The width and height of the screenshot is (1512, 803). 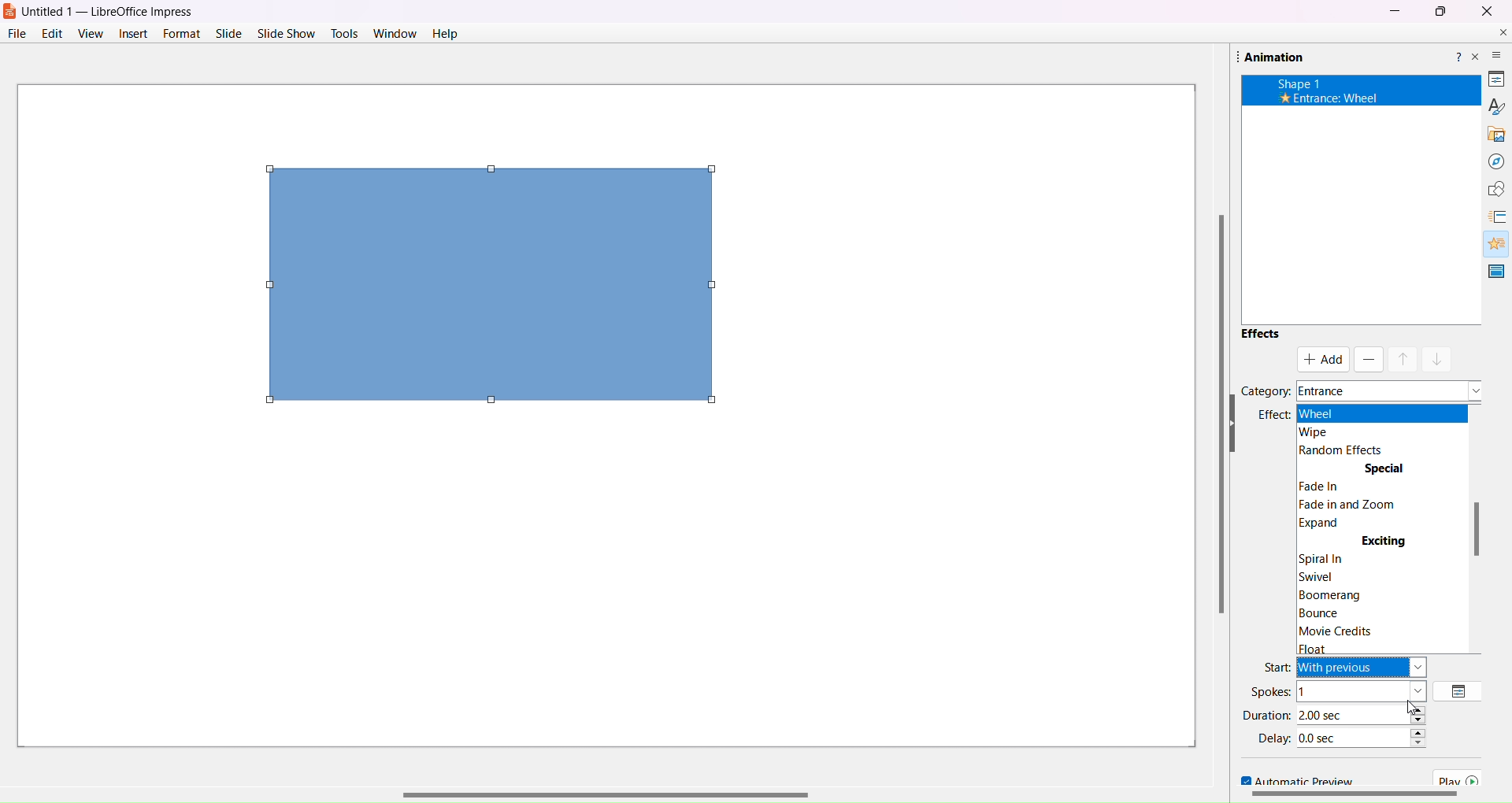 I want to click on Option, so click(x=1461, y=690).